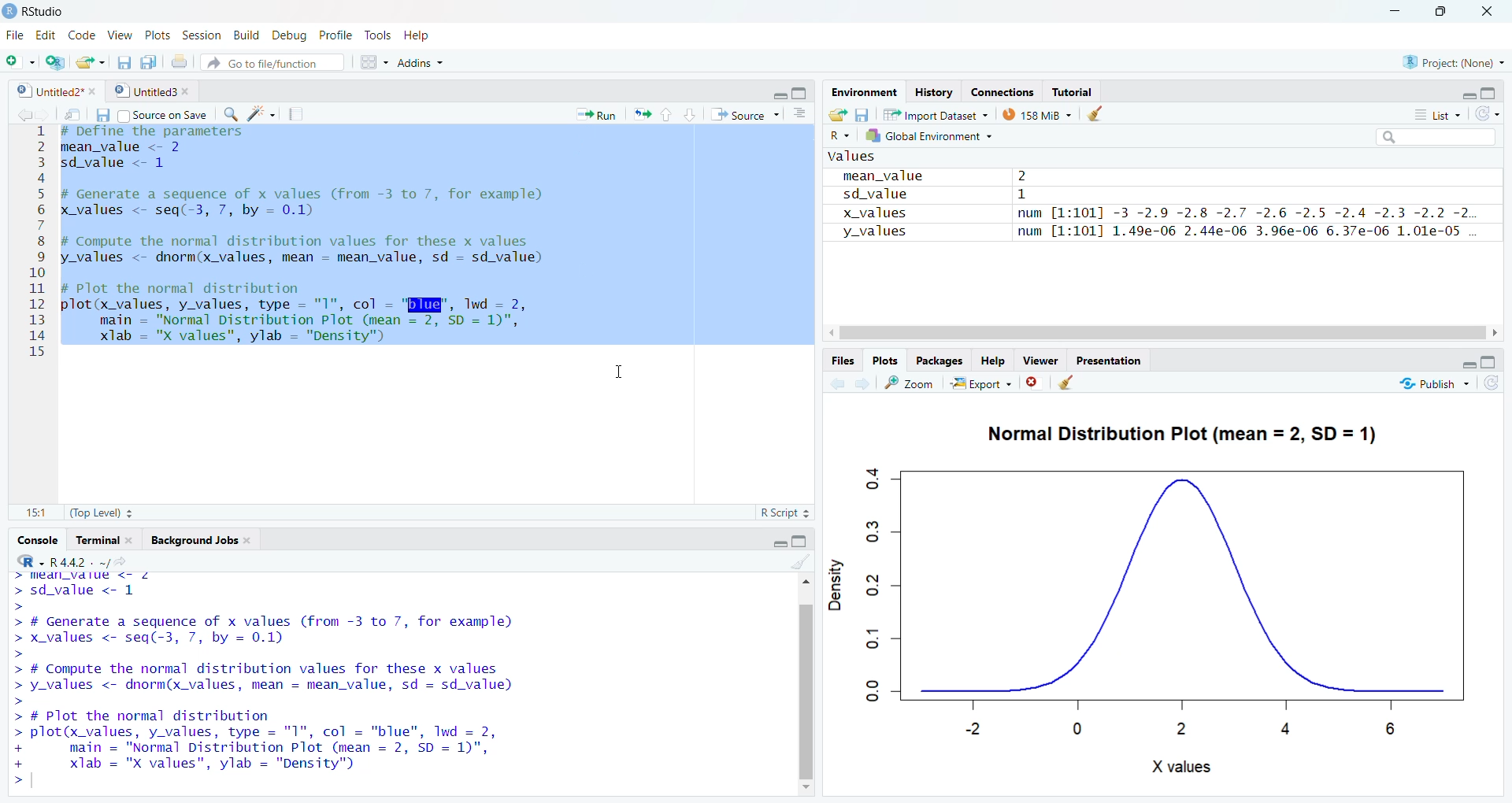 The image size is (1512, 803). Describe the element at coordinates (178, 58) in the screenshot. I see `Print the current file` at that location.